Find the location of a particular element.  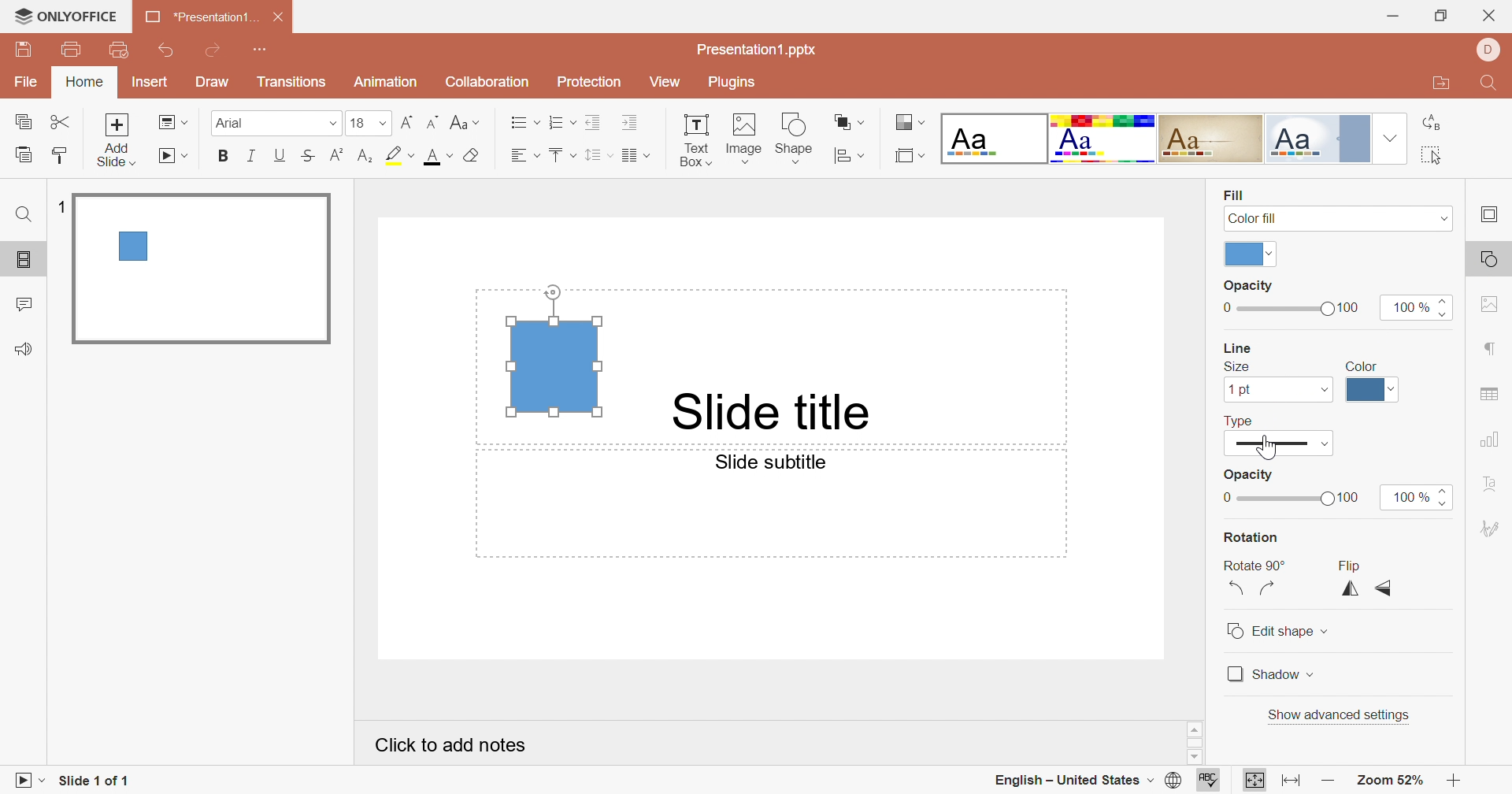

Numbering is located at coordinates (565, 125).